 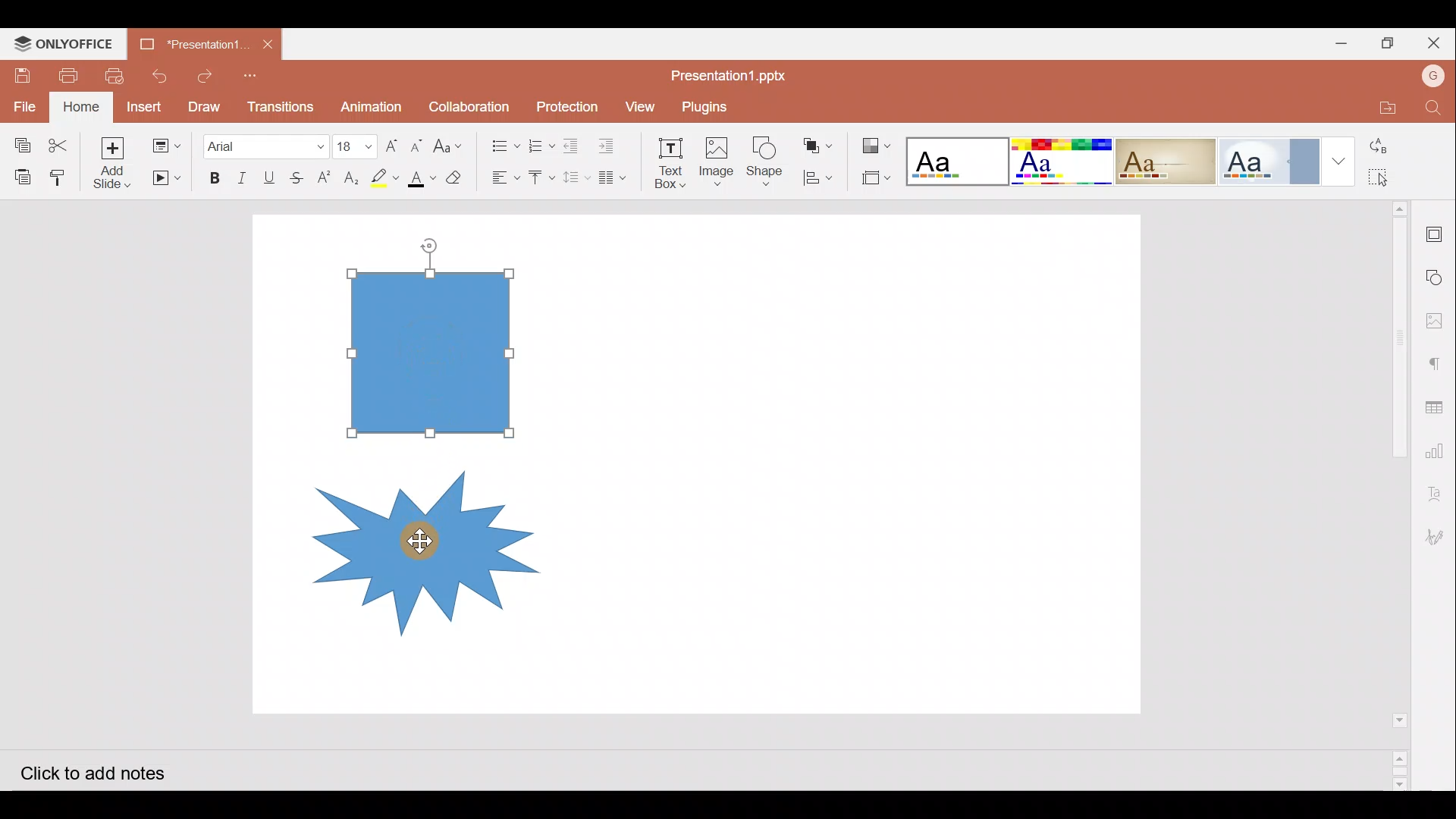 I want to click on Official, so click(x=1270, y=160).